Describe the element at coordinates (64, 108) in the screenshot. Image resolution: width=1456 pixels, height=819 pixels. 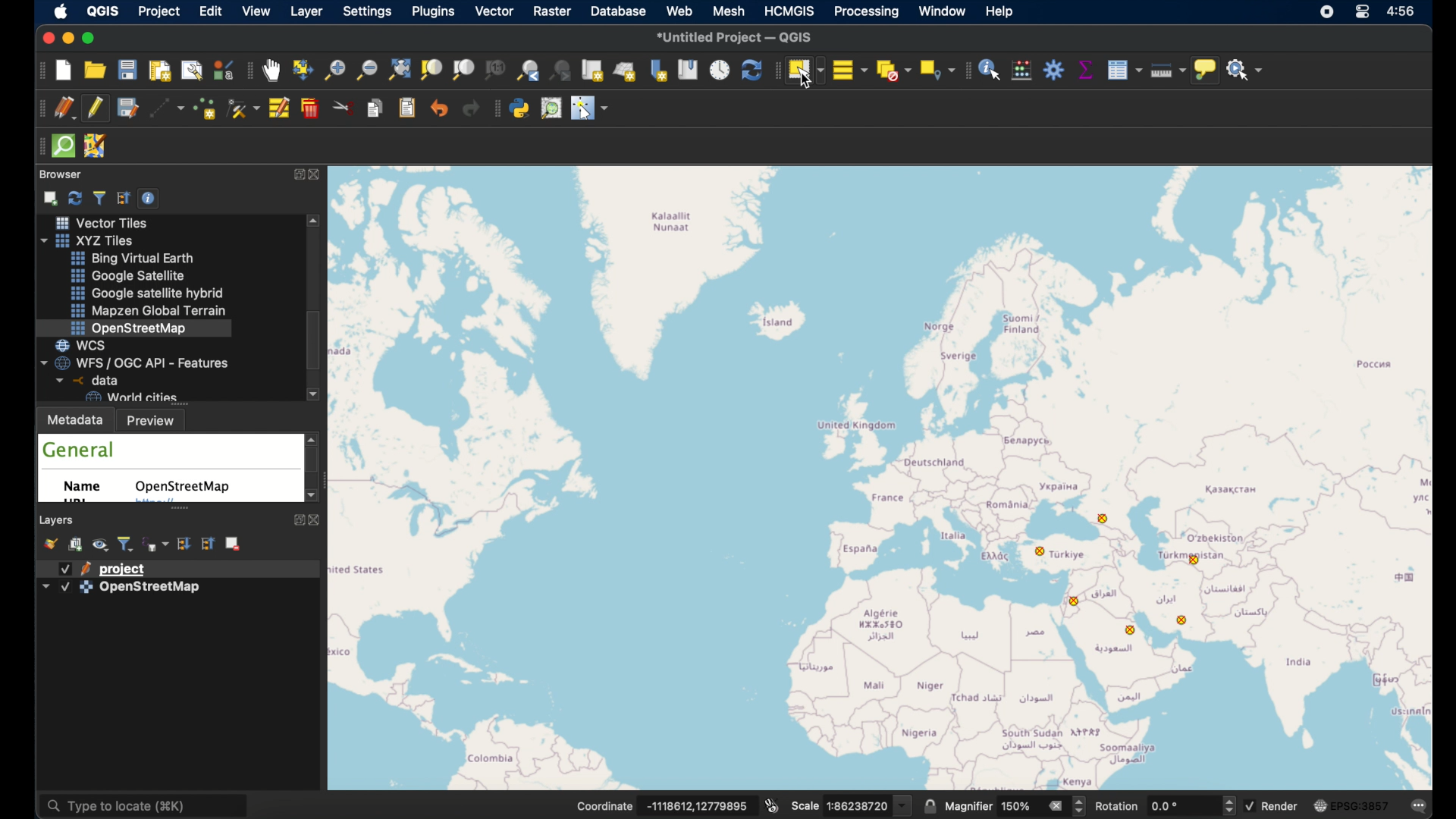
I see `current edits` at that location.